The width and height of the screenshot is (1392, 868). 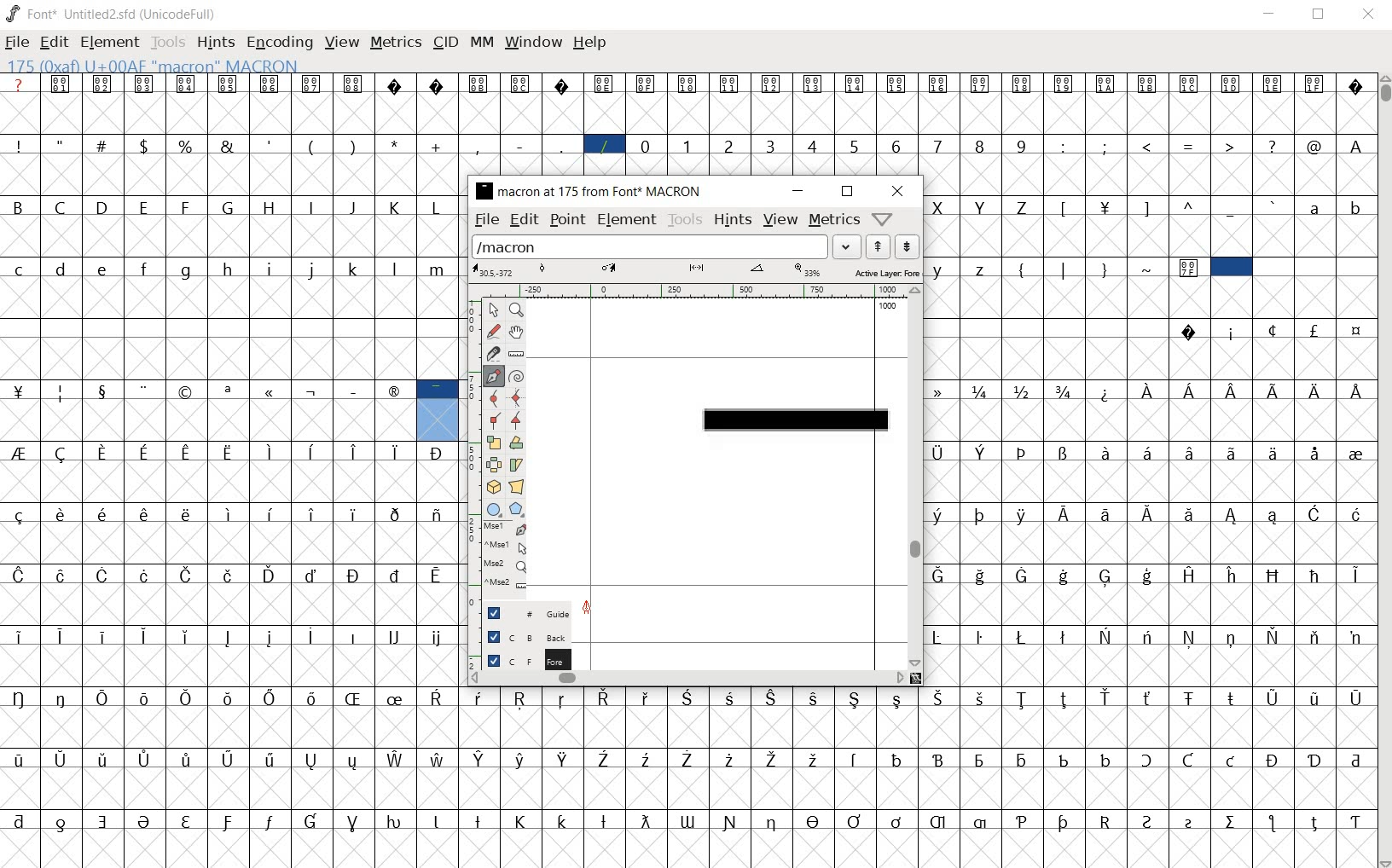 What do you see at coordinates (647, 697) in the screenshot?
I see `Symbol` at bounding box center [647, 697].